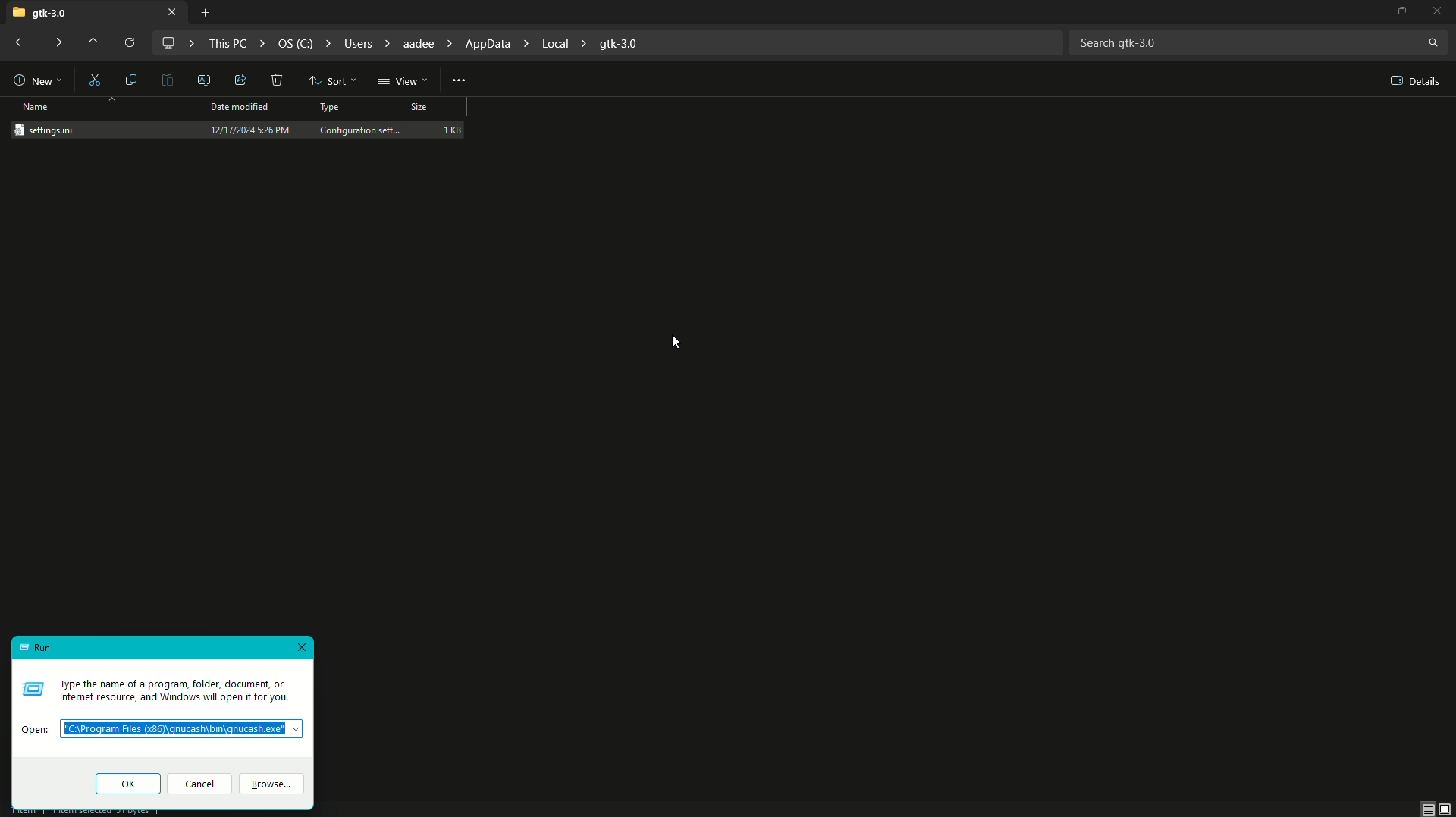  What do you see at coordinates (435, 109) in the screenshot?
I see `Size` at bounding box center [435, 109].